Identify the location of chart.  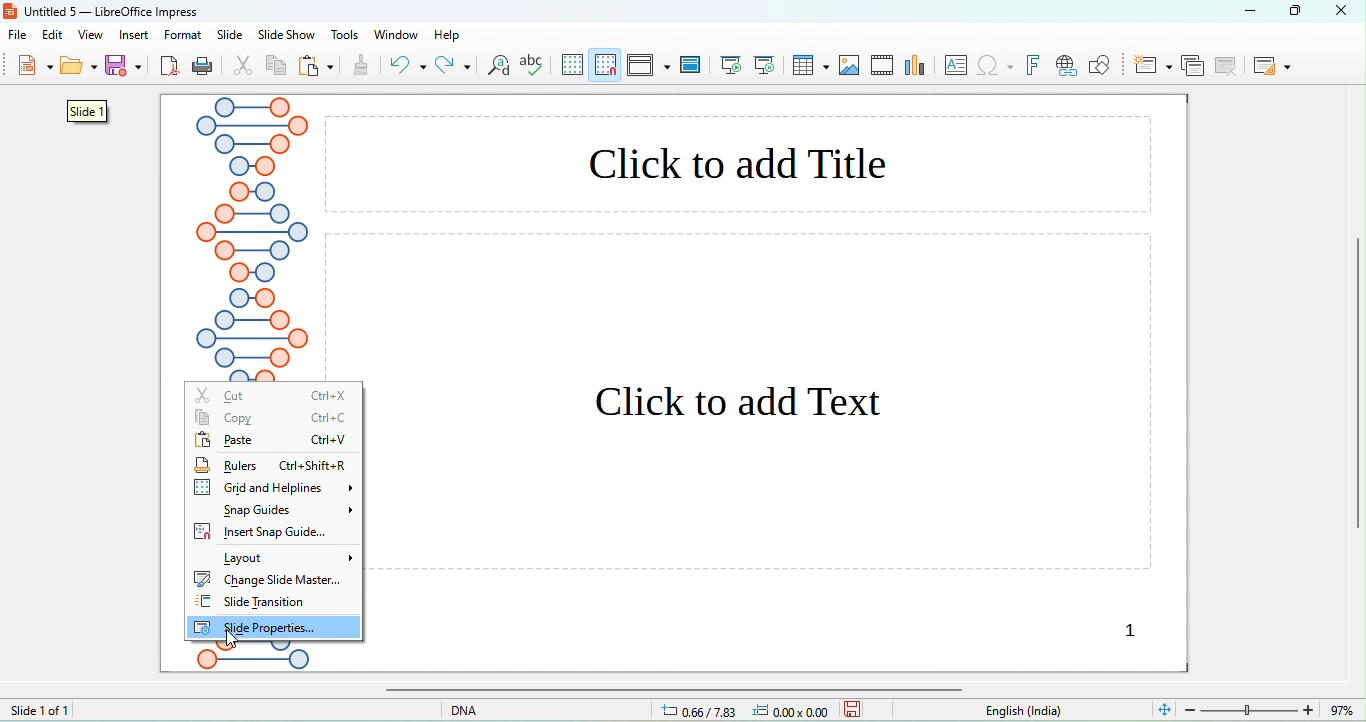
(918, 66).